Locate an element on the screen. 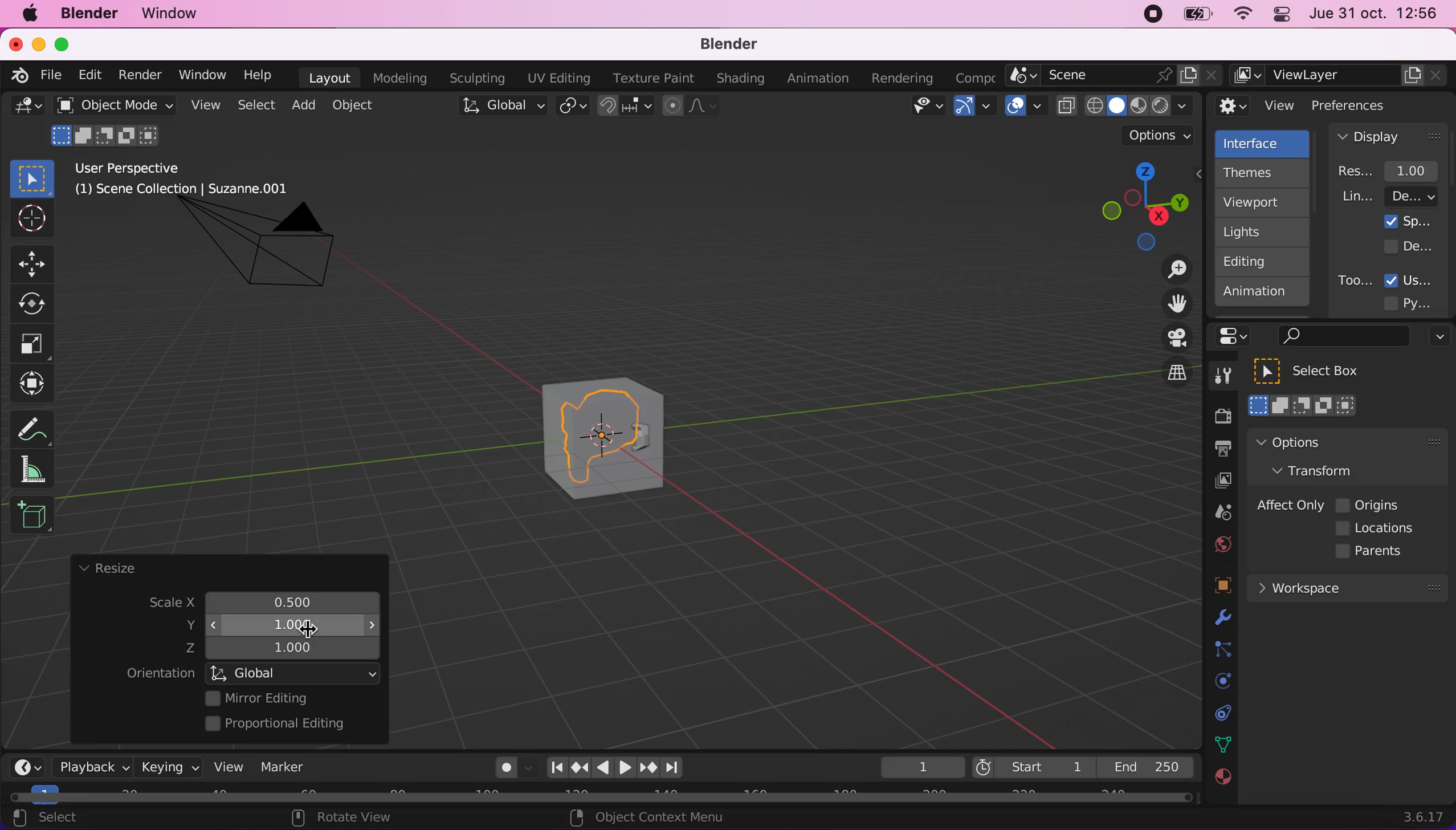  select is located at coordinates (255, 106).